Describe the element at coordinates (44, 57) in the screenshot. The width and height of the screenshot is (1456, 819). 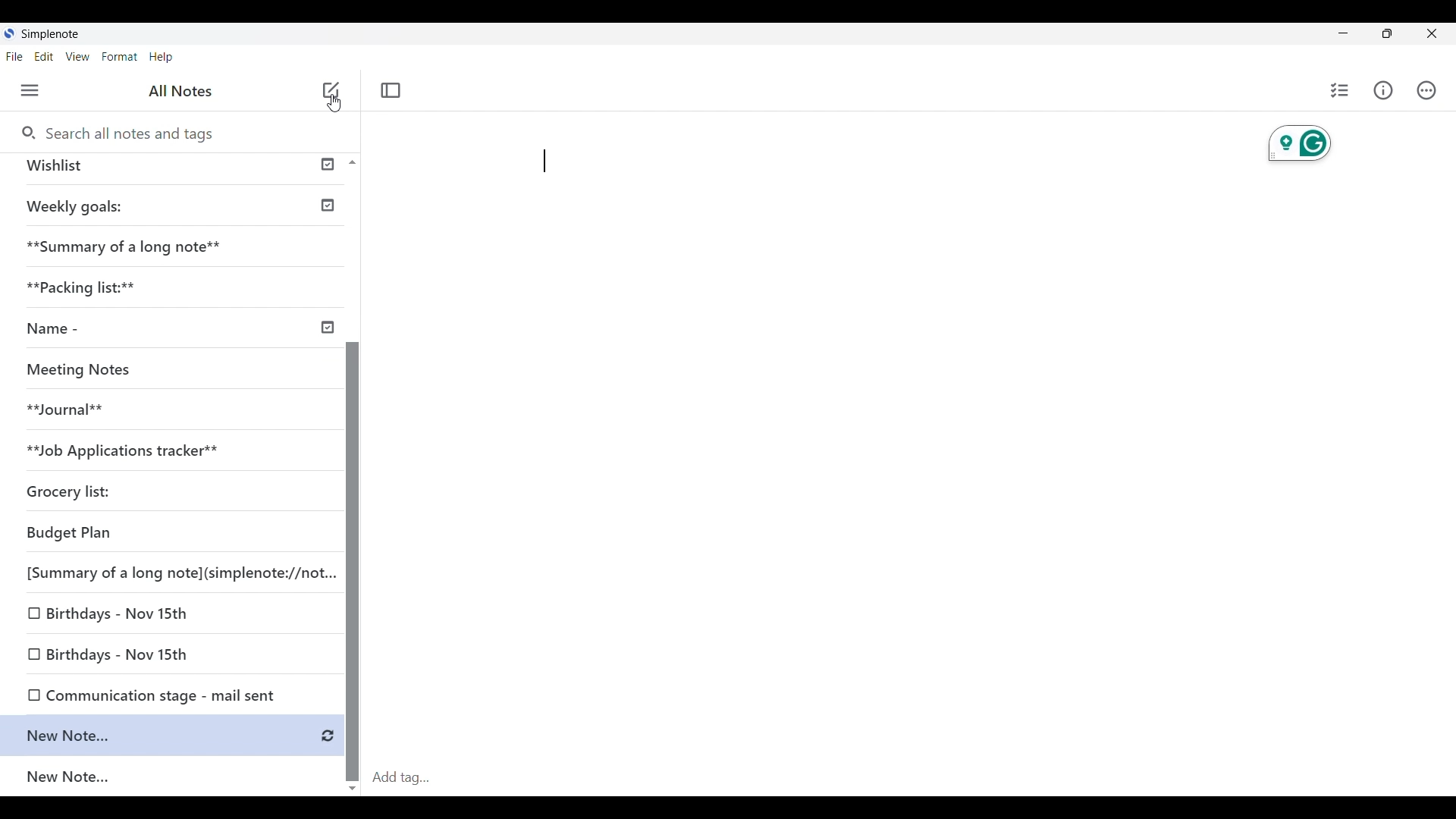
I see `Edit menu` at that location.